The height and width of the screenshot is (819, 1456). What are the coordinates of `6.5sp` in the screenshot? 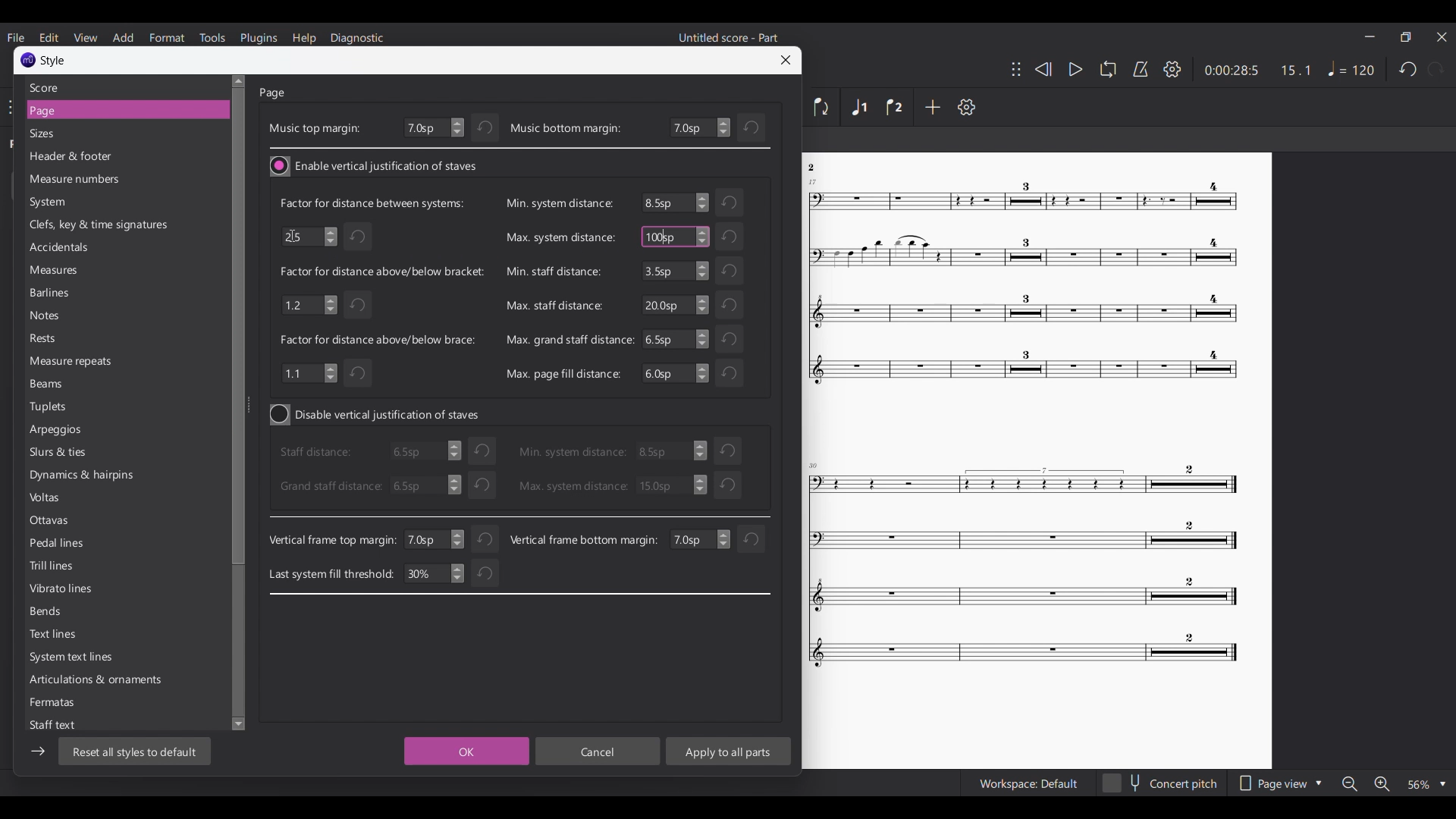 It's located at (423, 485).